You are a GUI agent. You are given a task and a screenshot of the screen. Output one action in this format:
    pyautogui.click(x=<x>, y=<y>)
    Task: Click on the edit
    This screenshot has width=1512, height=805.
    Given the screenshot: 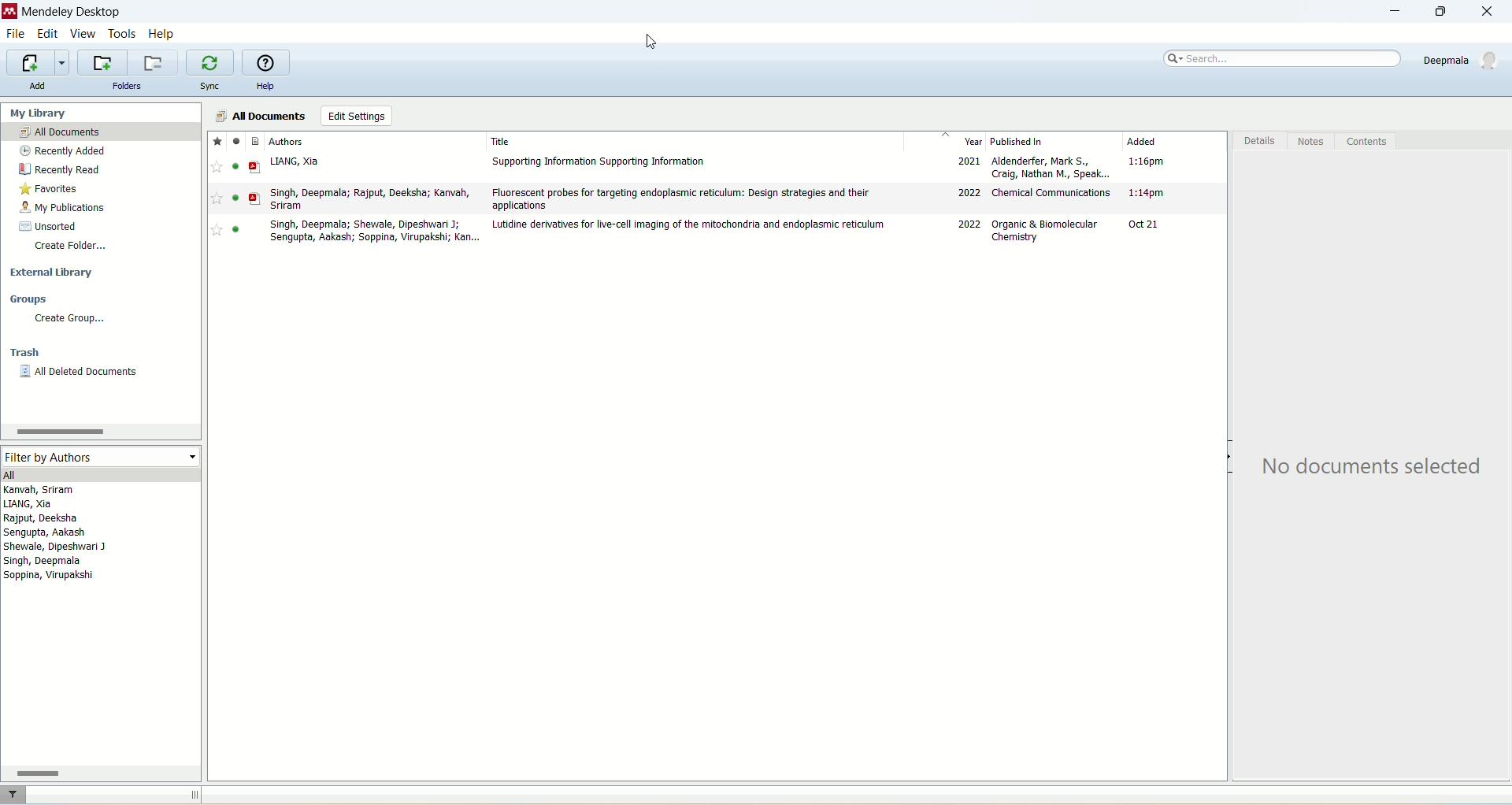 What is the action you would take?
    pyautogui.click(x=47, y=34)
    